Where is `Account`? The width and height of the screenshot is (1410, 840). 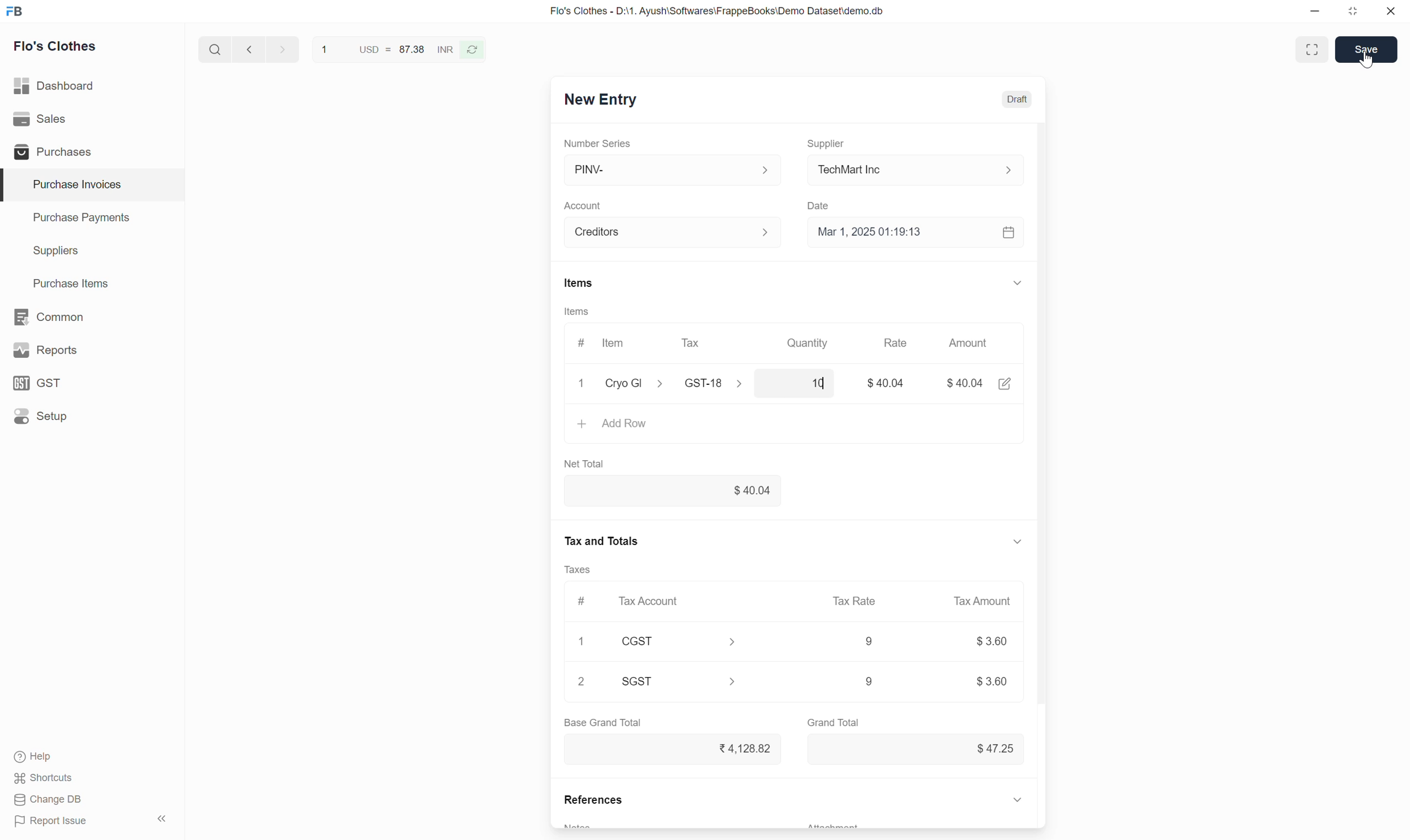 Account is located at coordinates (586, 202).